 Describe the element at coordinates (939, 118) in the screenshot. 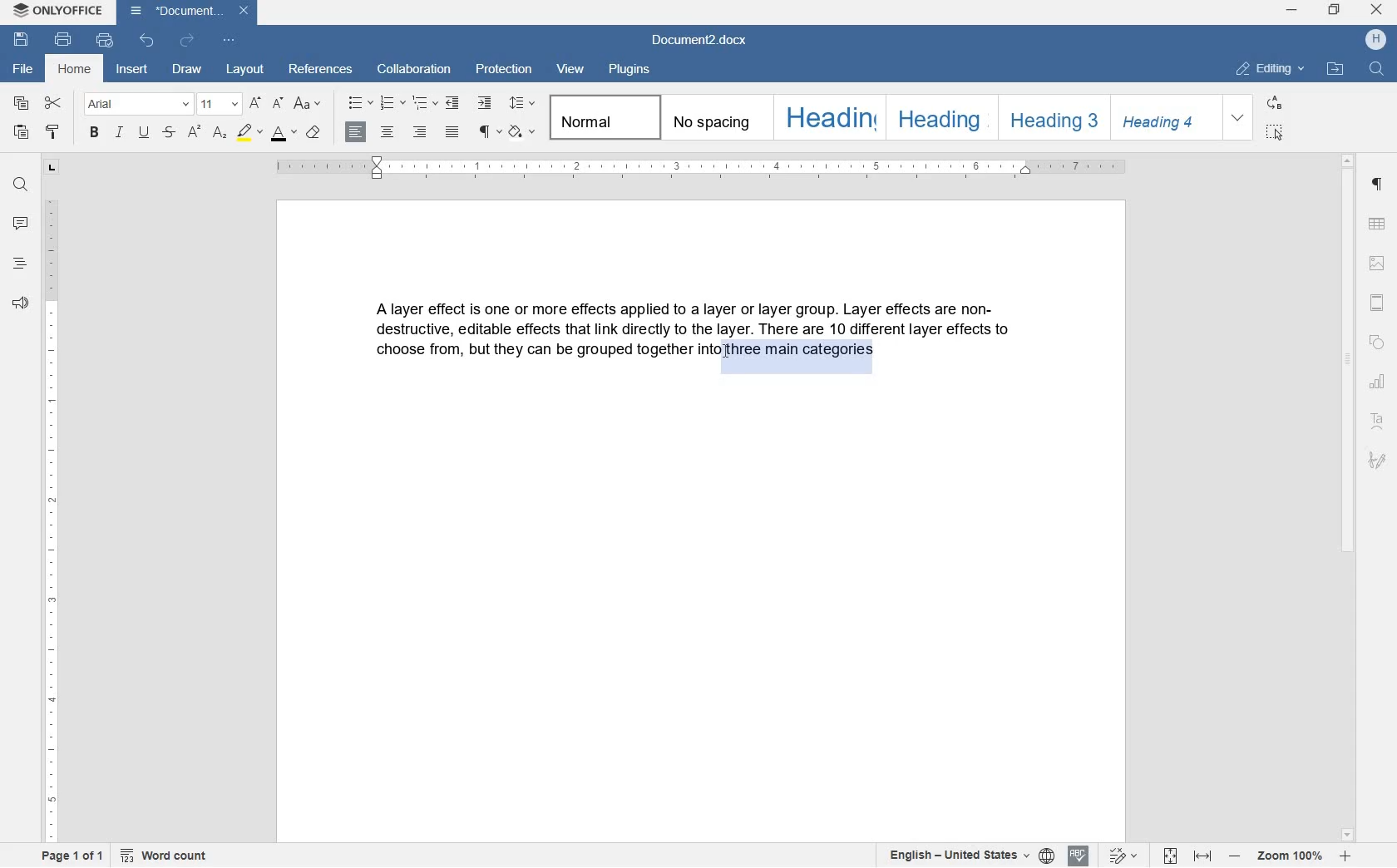

I see `heading 2` at that location.